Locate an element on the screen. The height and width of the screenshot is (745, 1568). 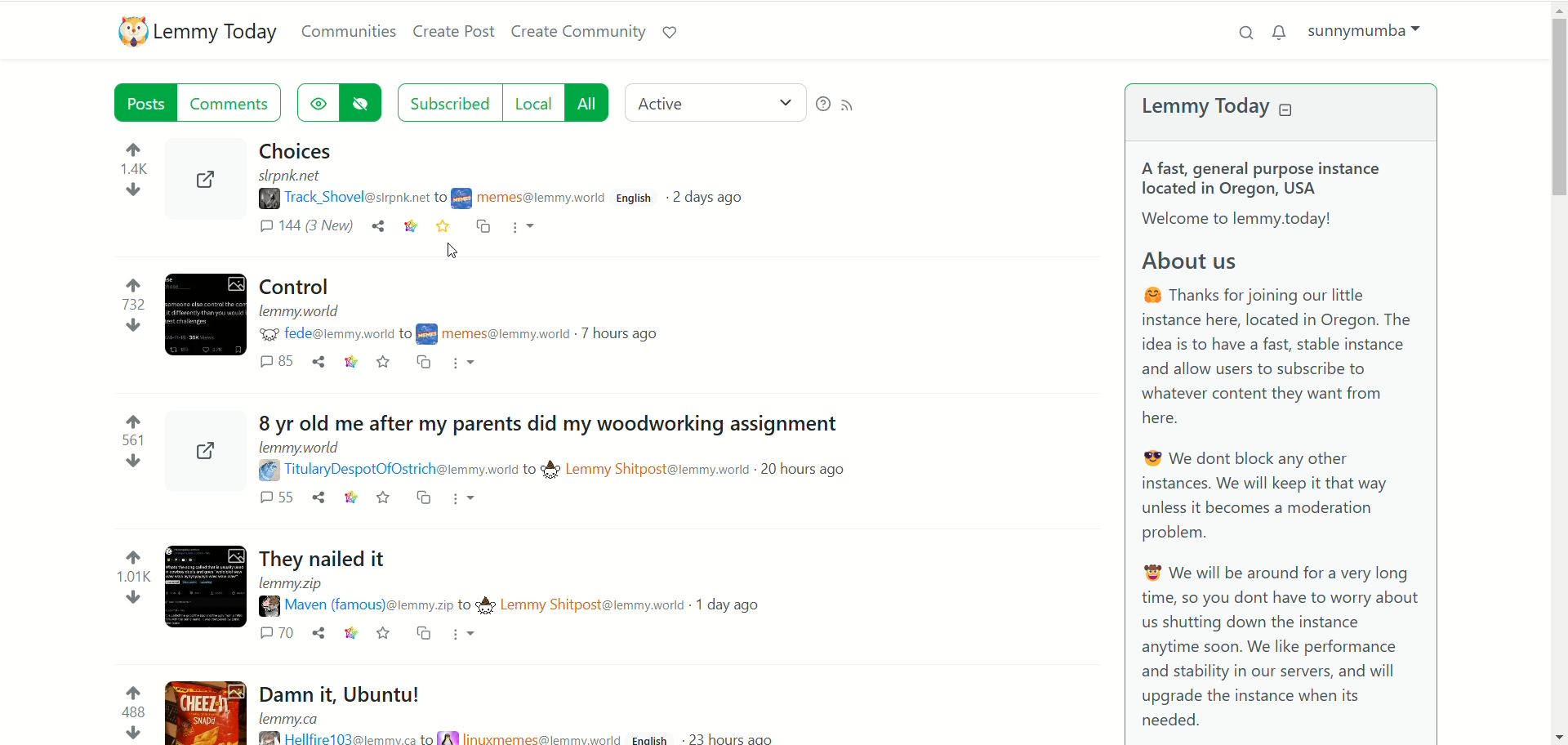
lemmy today is located at coordinates (1219, 109).